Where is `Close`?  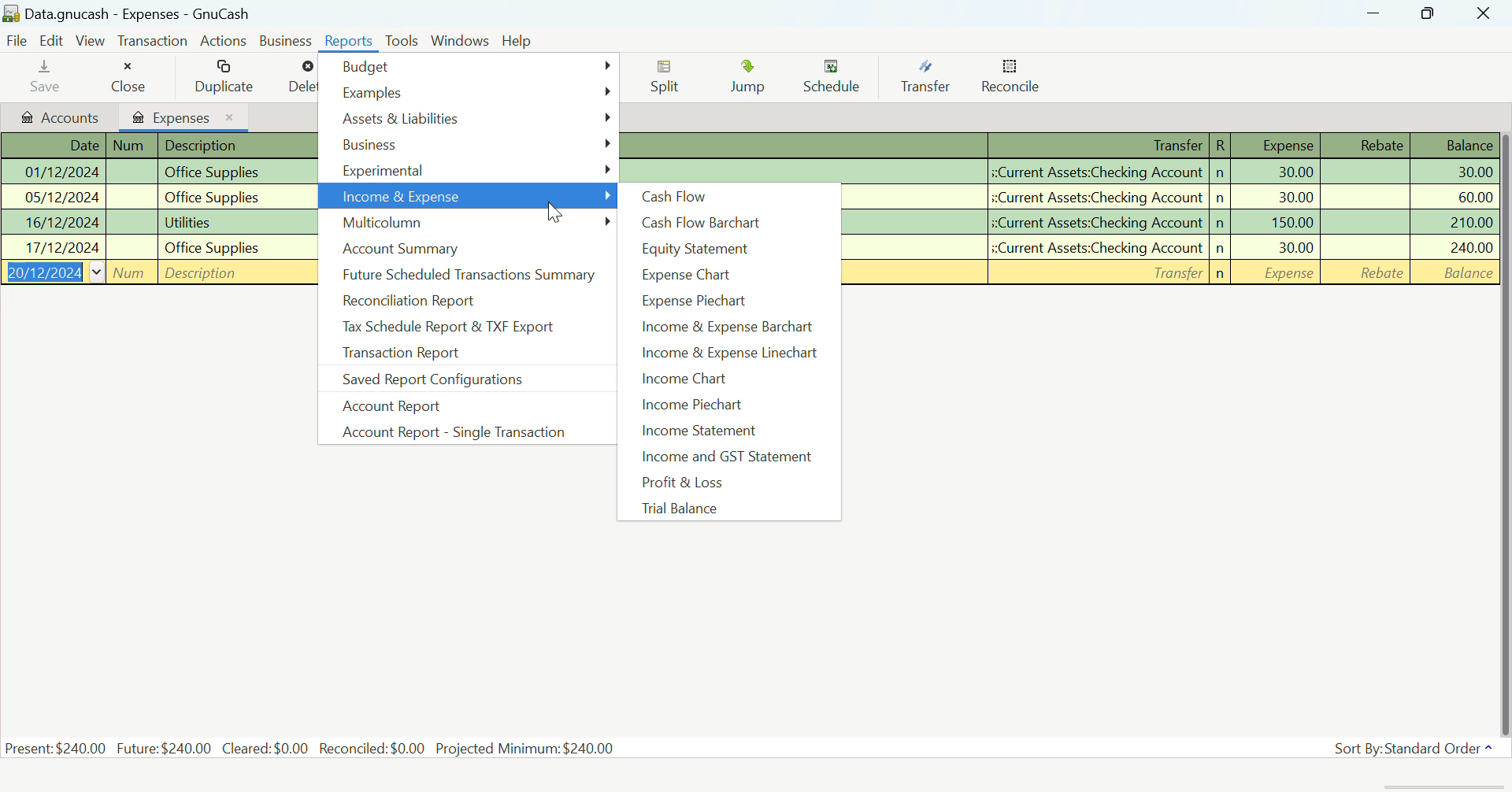
Close is located at coordinates (131, 77).